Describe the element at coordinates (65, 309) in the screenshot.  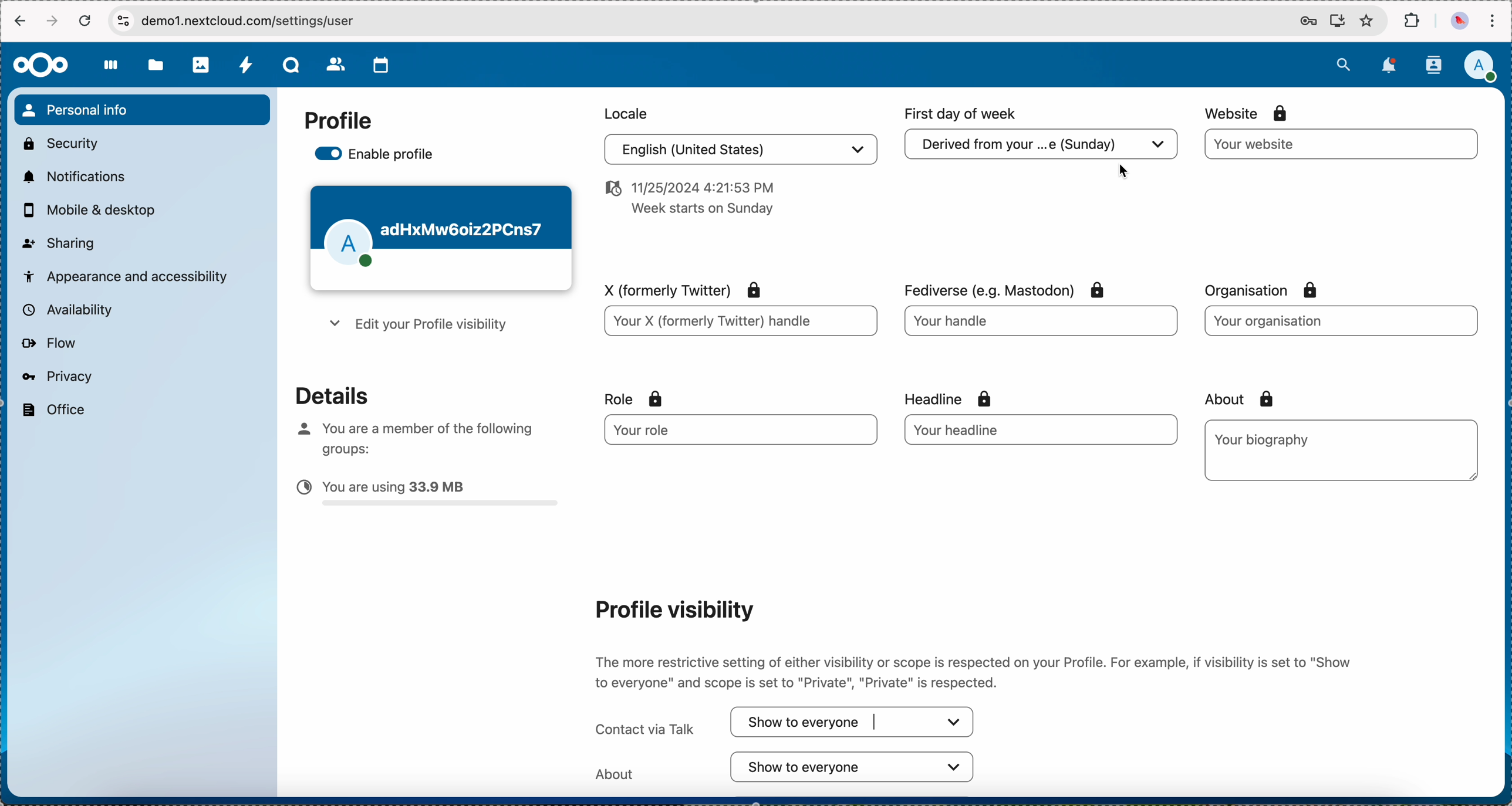
I see `availability` at that location.